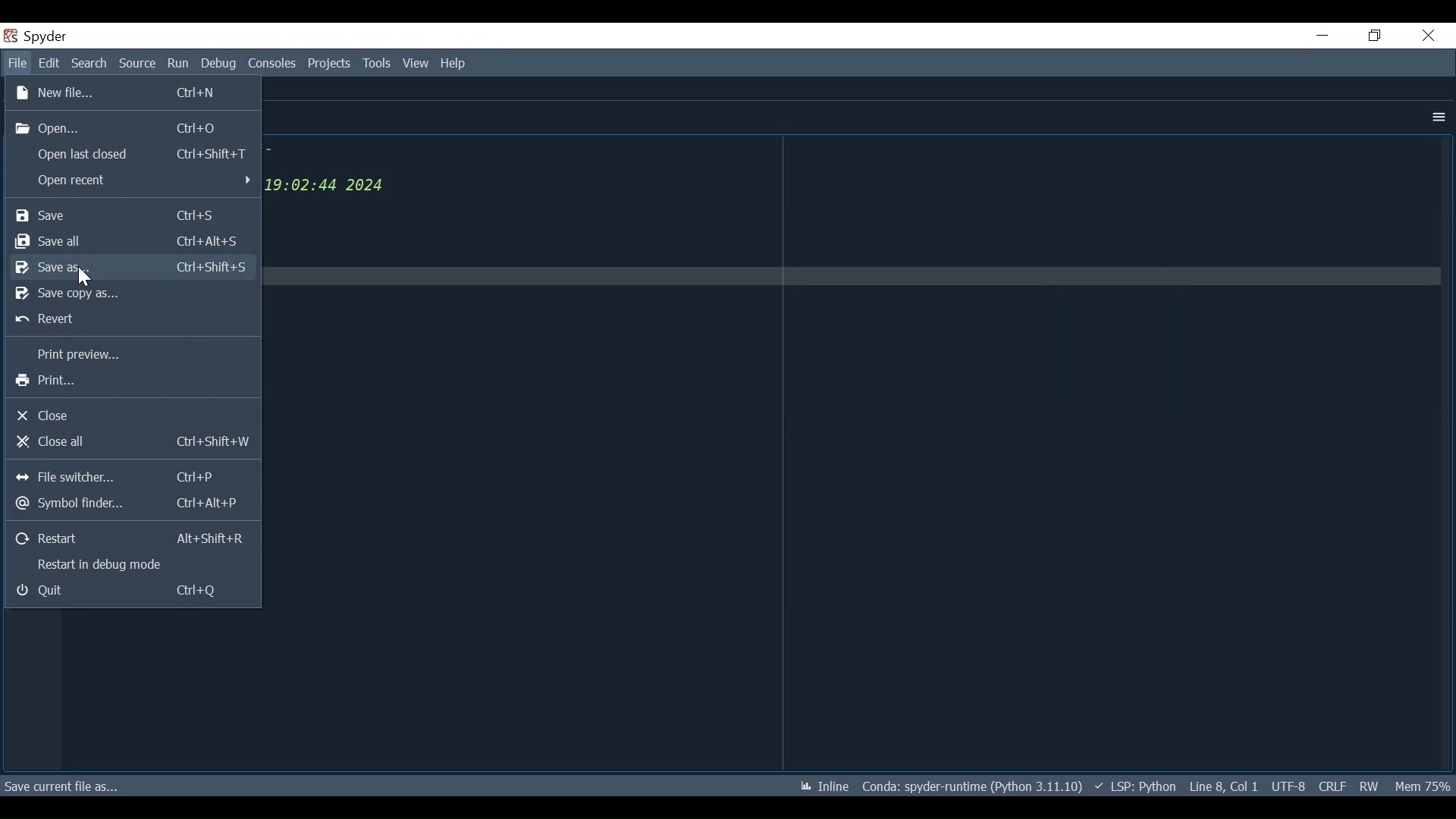  Describe the element at coordinates (130, 442) in the screenshot. I see `Close All` at that location.